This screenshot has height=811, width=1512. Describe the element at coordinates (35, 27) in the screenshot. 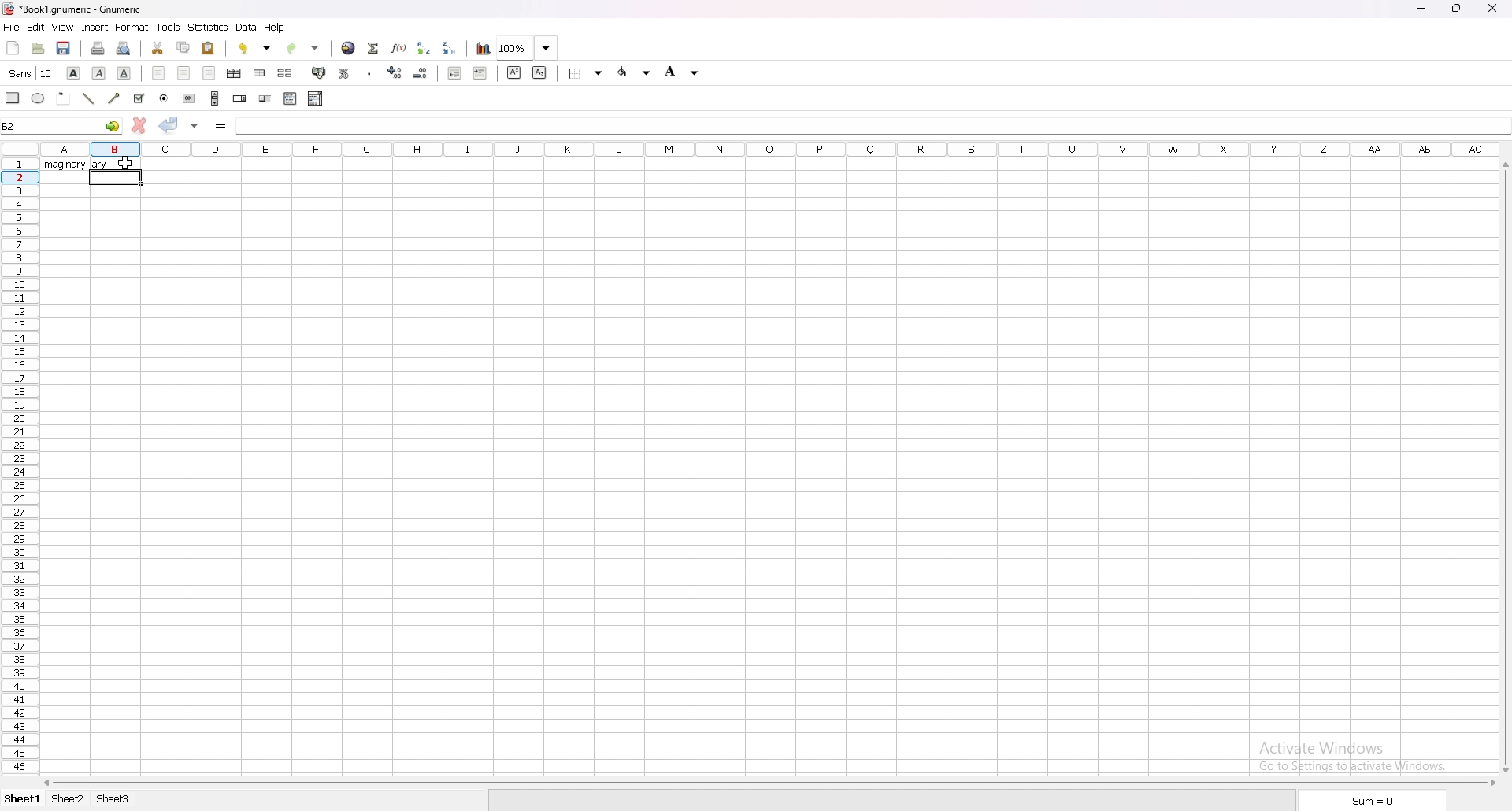

I see `edit` at that location.